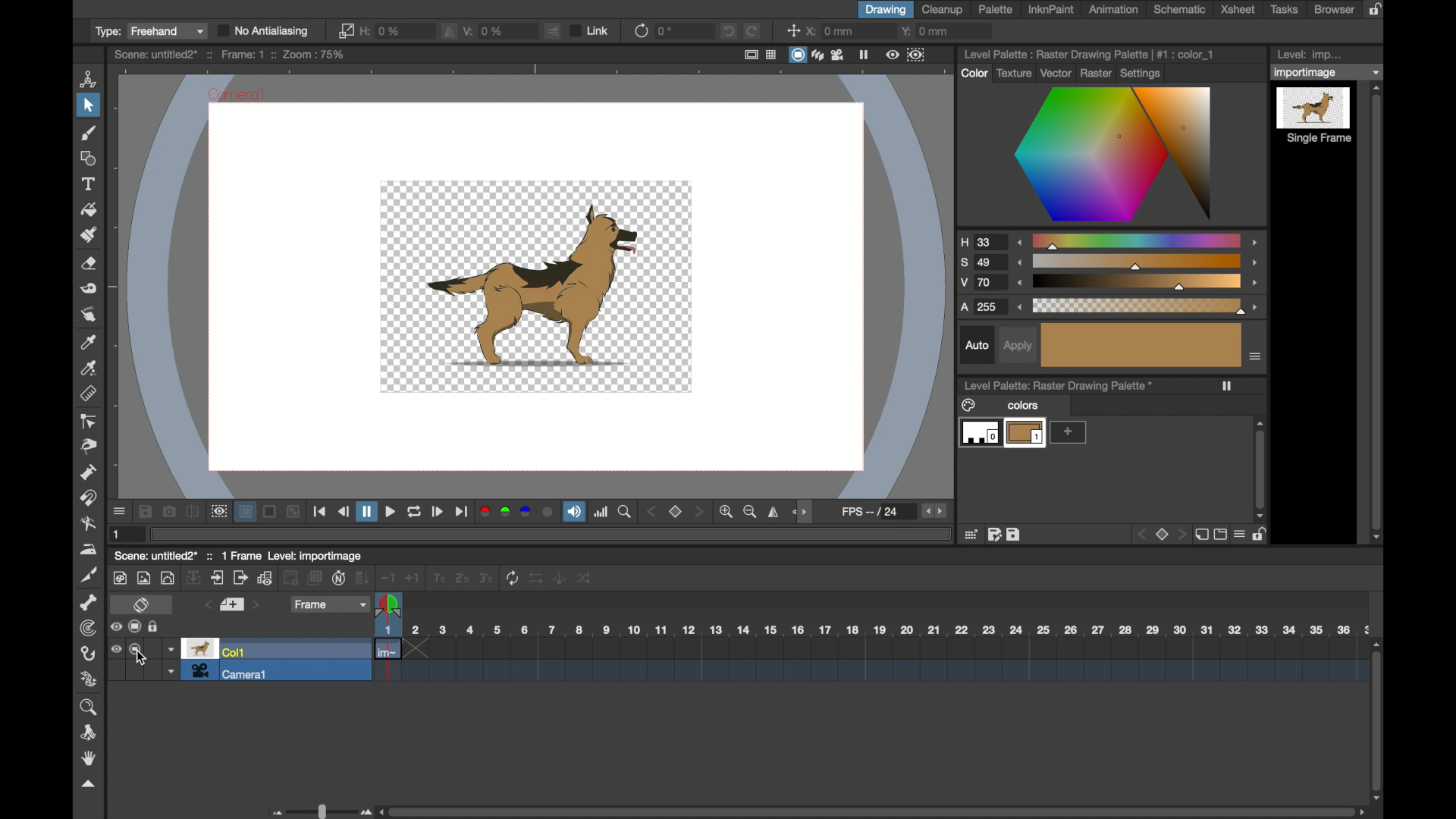 This screenshot has height=819, width=1456. I want to click on table, so click(772, 55).